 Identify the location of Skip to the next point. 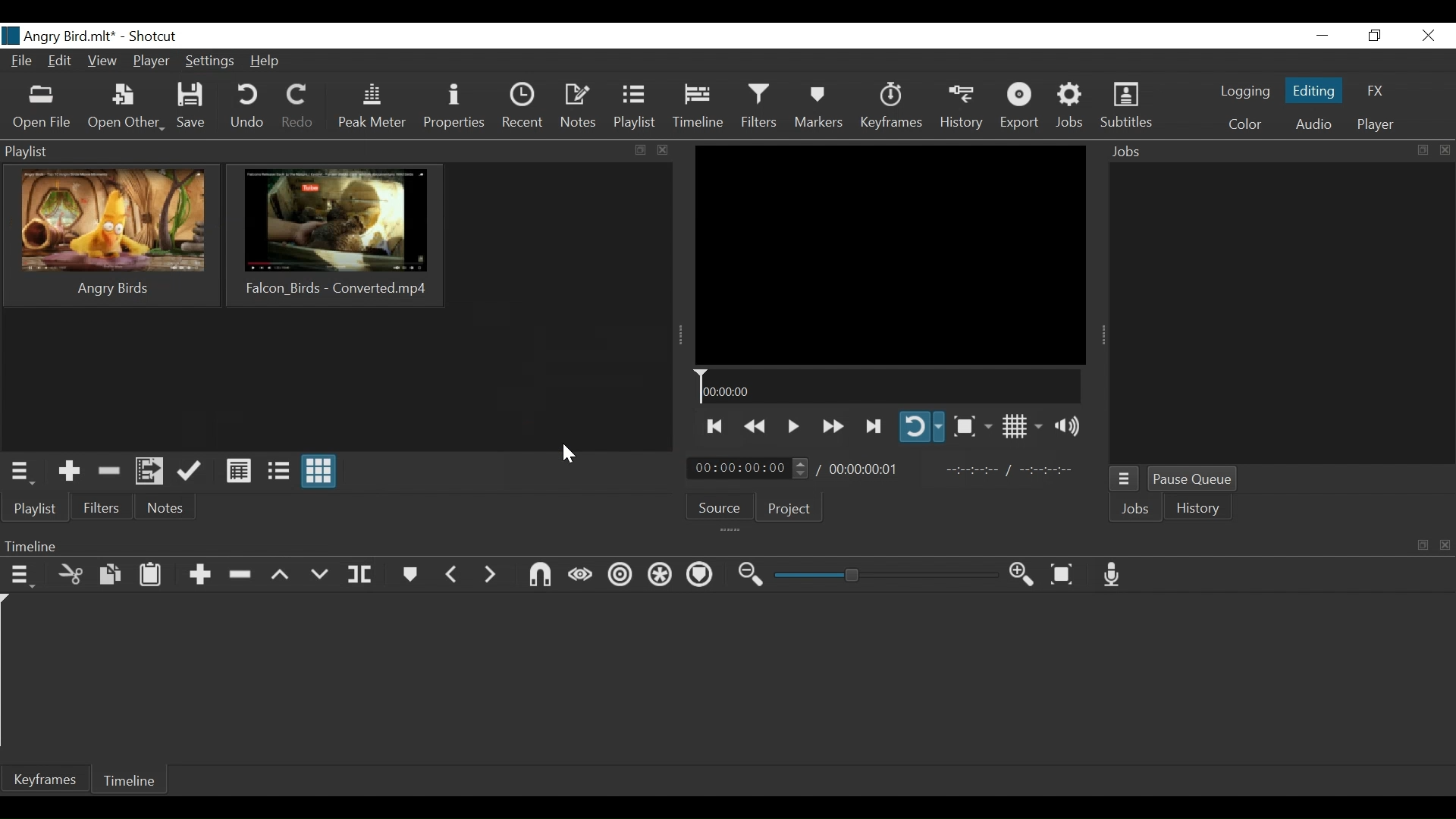
(875, 427).